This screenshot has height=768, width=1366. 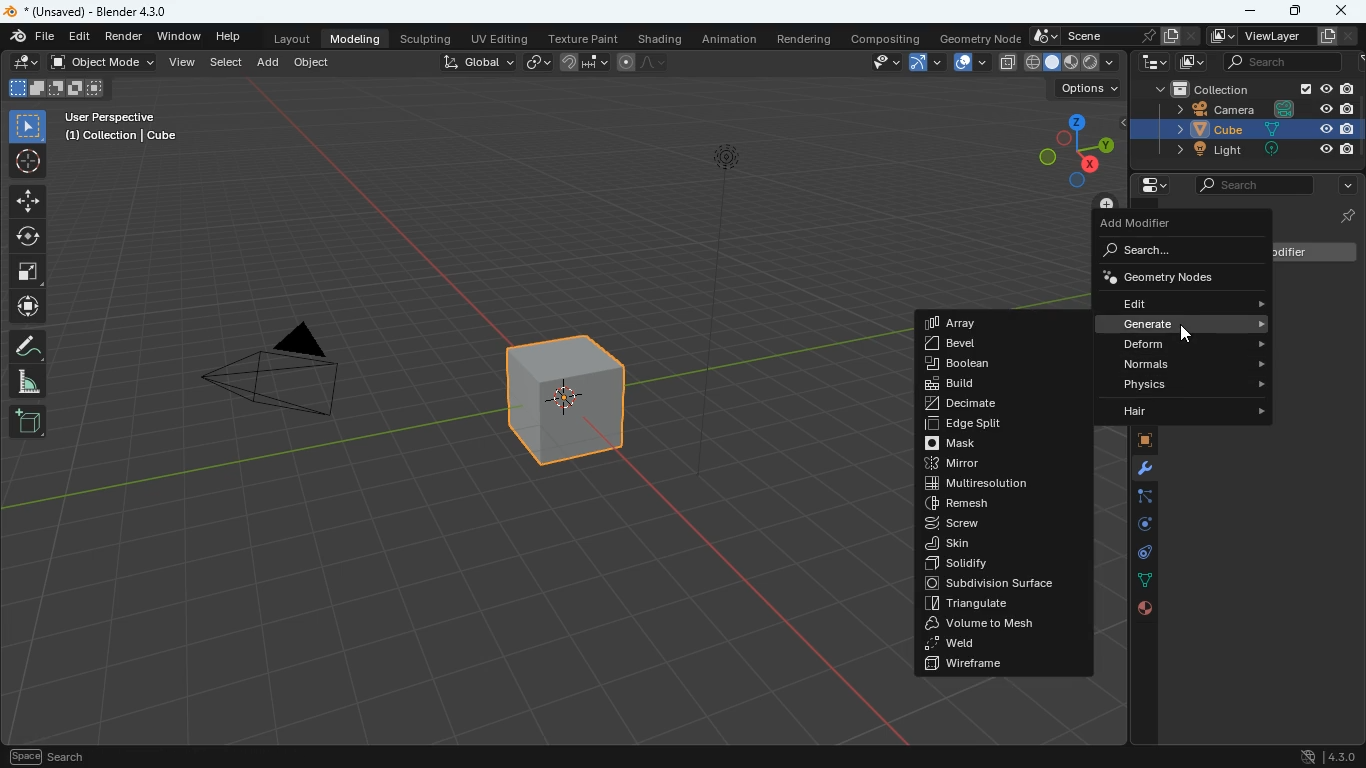 I want to click on normals, so click(x=1193, y=363).